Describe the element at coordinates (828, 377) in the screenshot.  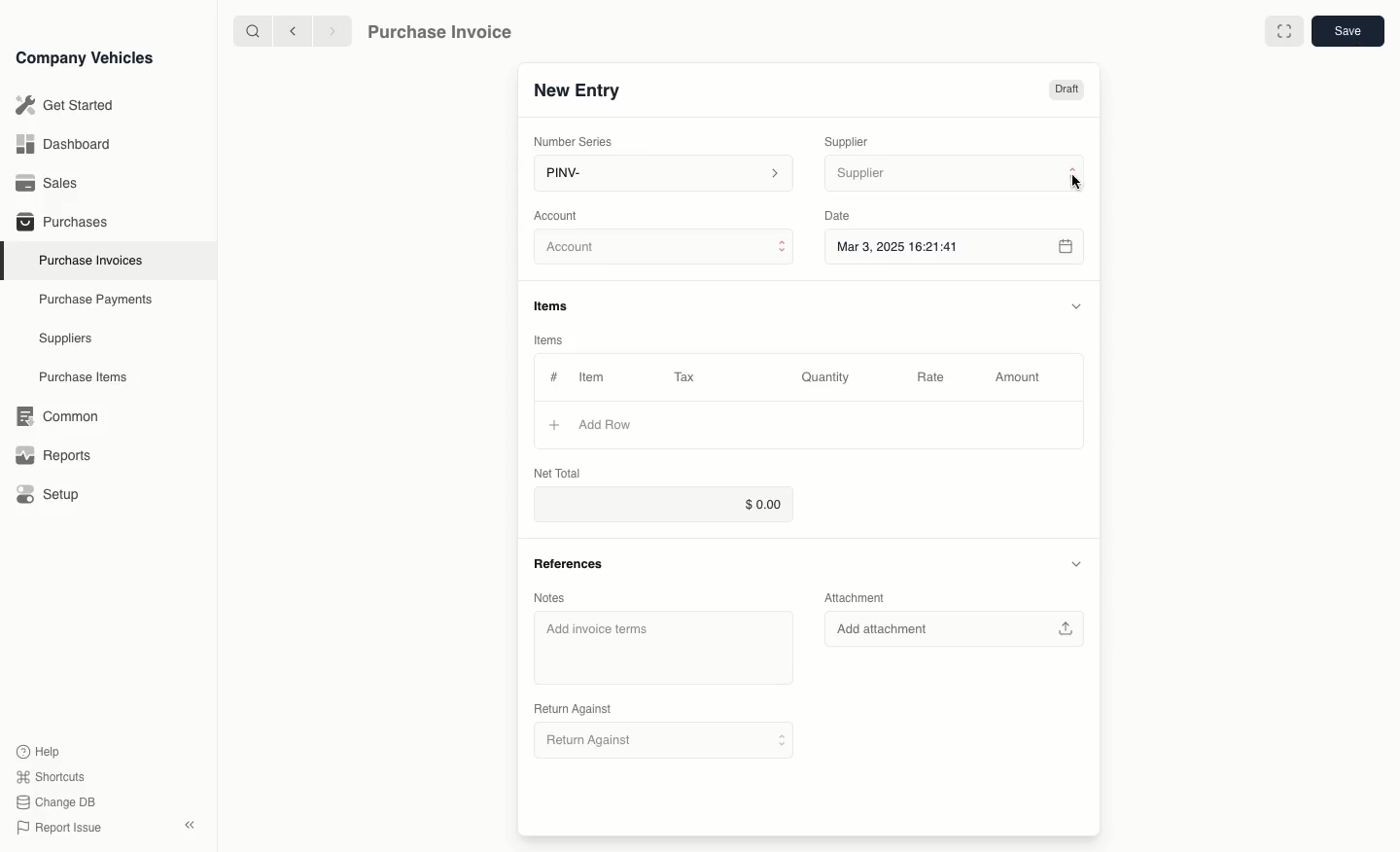
I see `Quantity` at that location.